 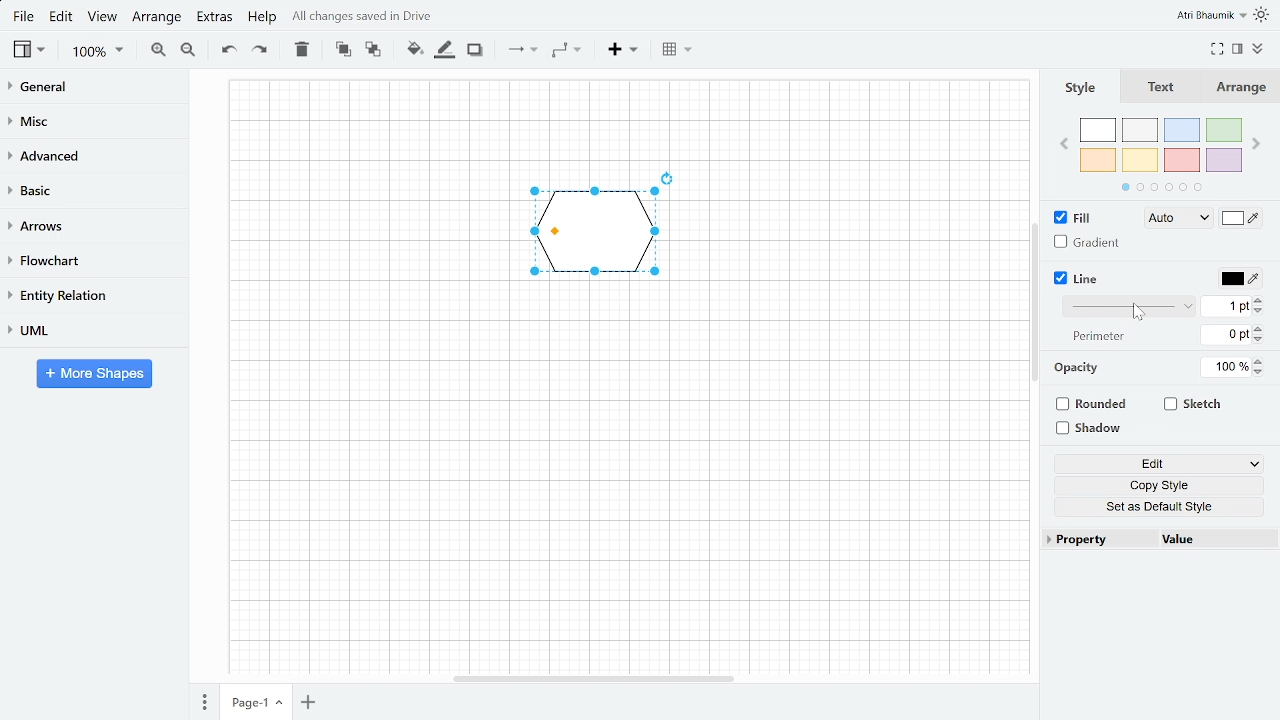 I want to click on UML, so click(x=90, y=331).